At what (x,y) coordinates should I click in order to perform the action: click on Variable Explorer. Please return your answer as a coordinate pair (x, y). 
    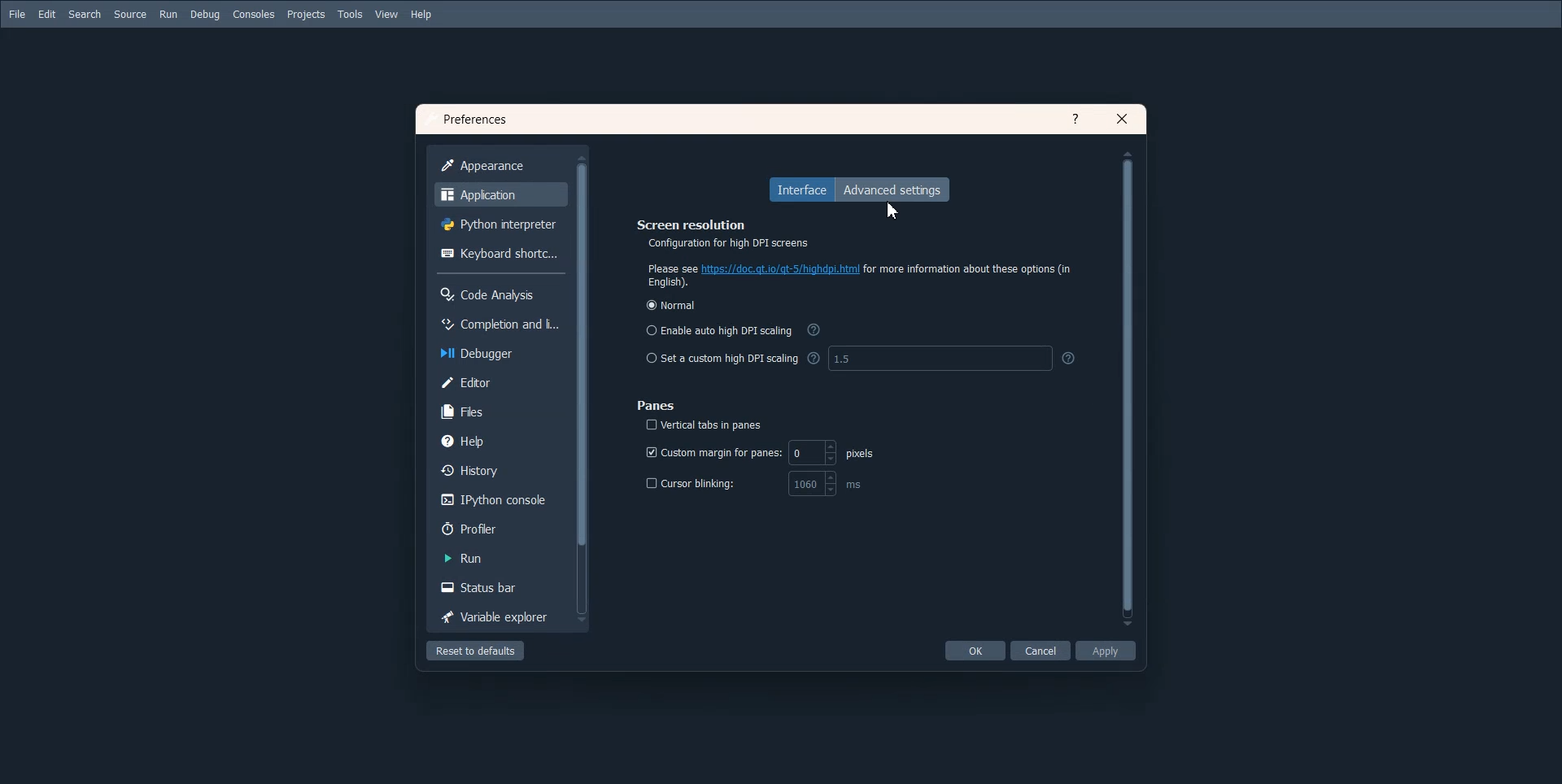
    Looking at the image, I should click on (496, 617).